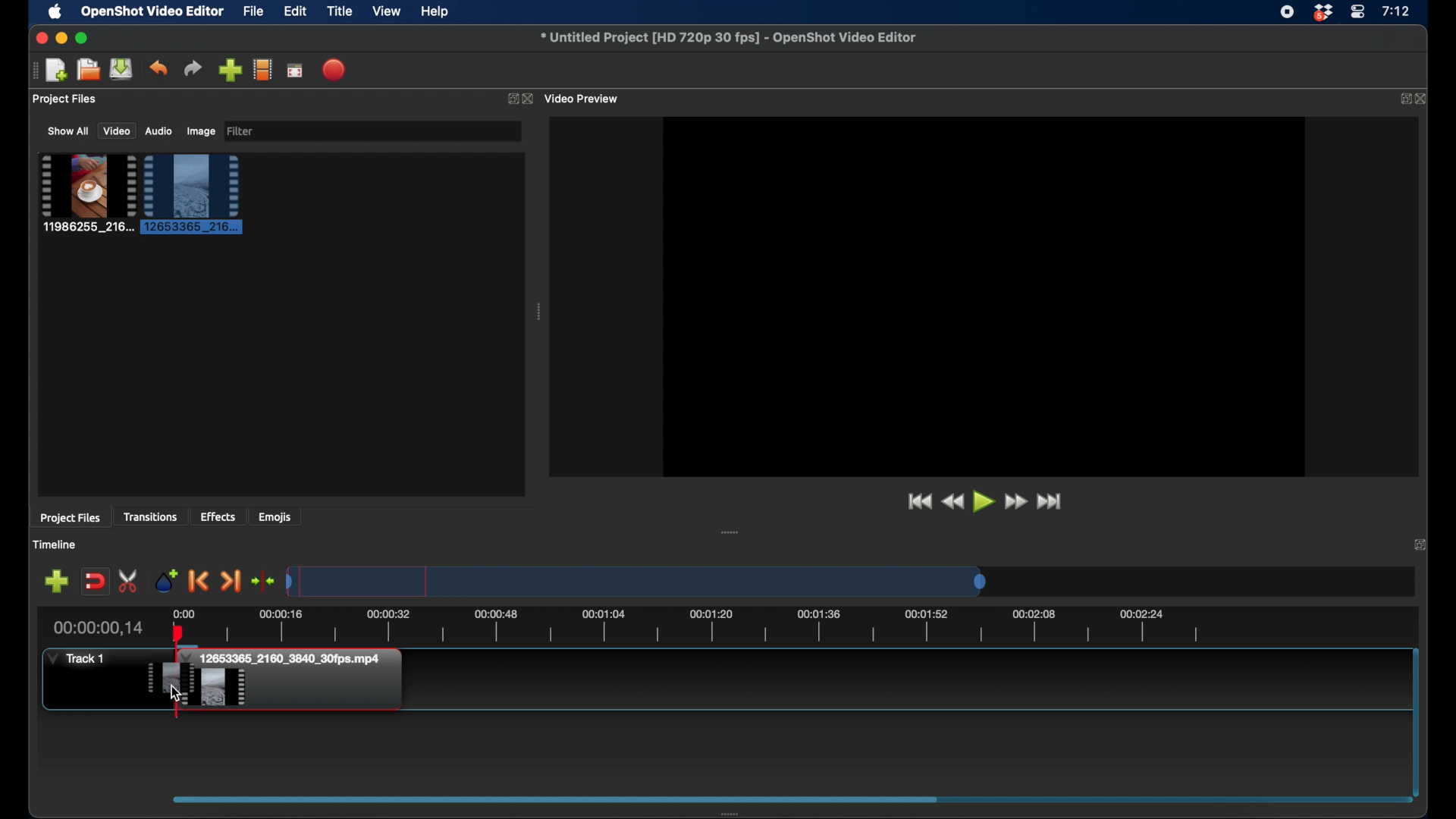 The image size is (1456, 819). What do you see at coordinates (77, 659) in the screenshot?
I see `track 1` at bounding box center [77, 659].